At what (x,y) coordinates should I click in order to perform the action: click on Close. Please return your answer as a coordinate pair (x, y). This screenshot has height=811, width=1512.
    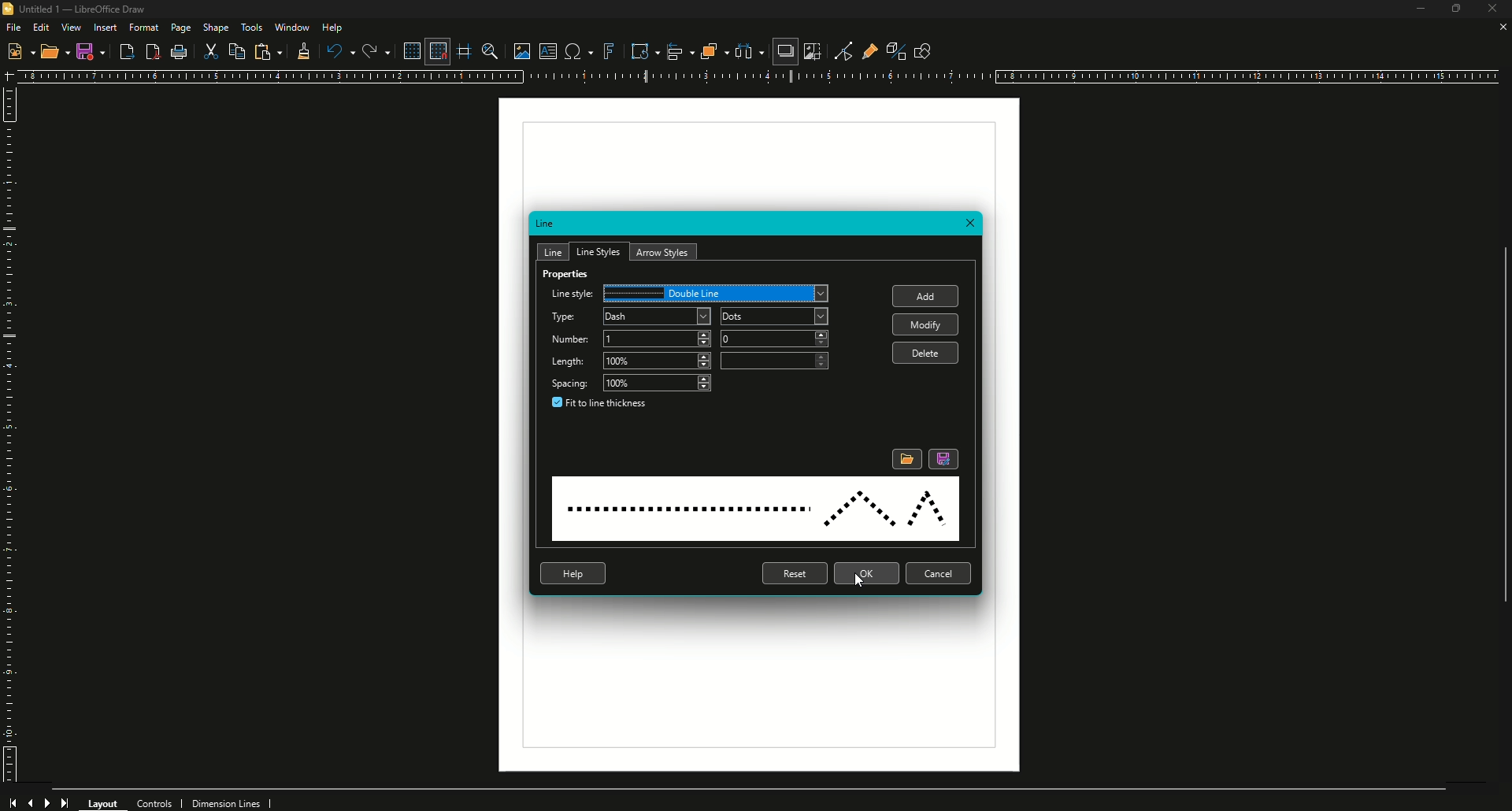
    Looking at the image, I should click on (972, 224).